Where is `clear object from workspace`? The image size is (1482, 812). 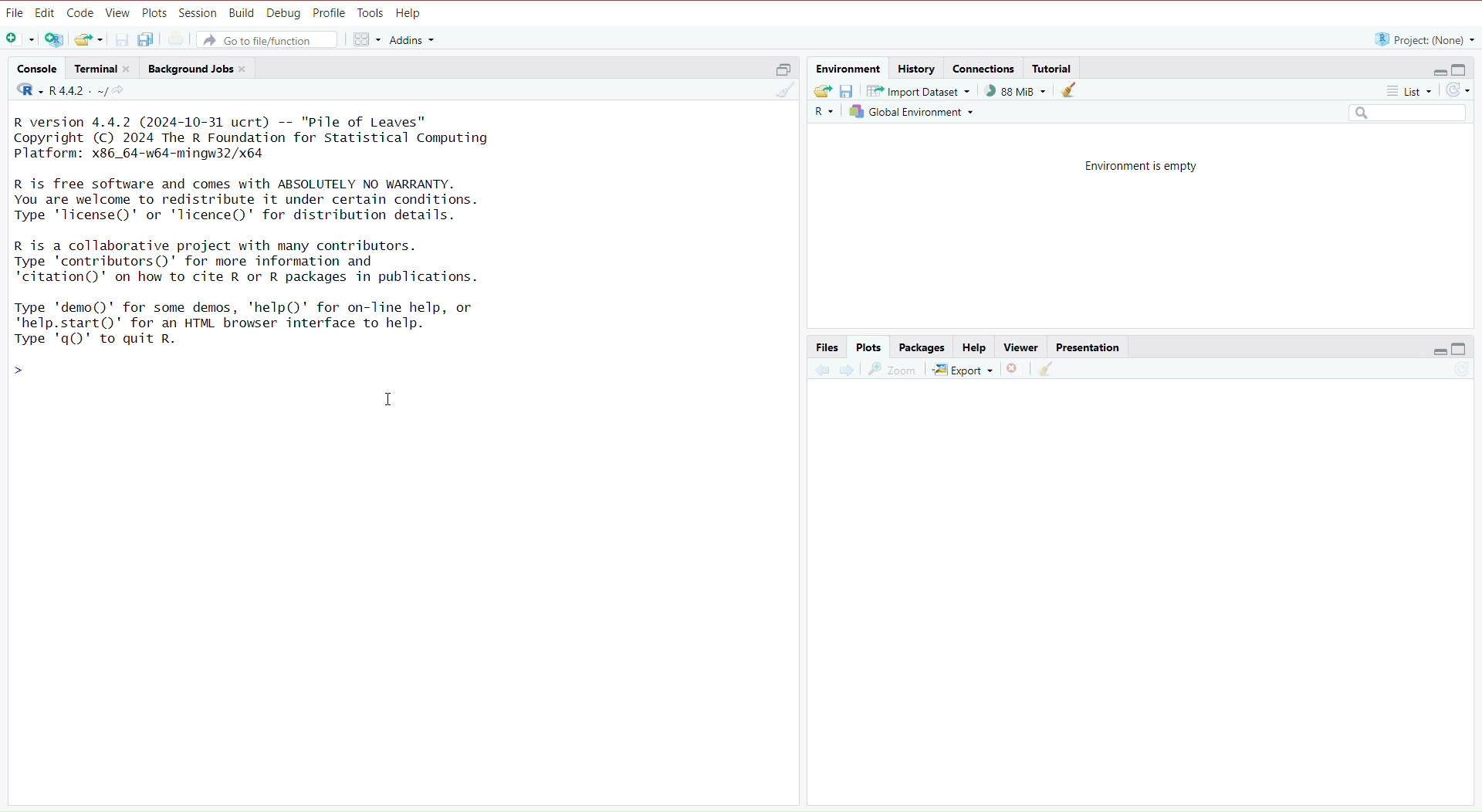 clear object from workspace is located at coordinates (1071, 92).